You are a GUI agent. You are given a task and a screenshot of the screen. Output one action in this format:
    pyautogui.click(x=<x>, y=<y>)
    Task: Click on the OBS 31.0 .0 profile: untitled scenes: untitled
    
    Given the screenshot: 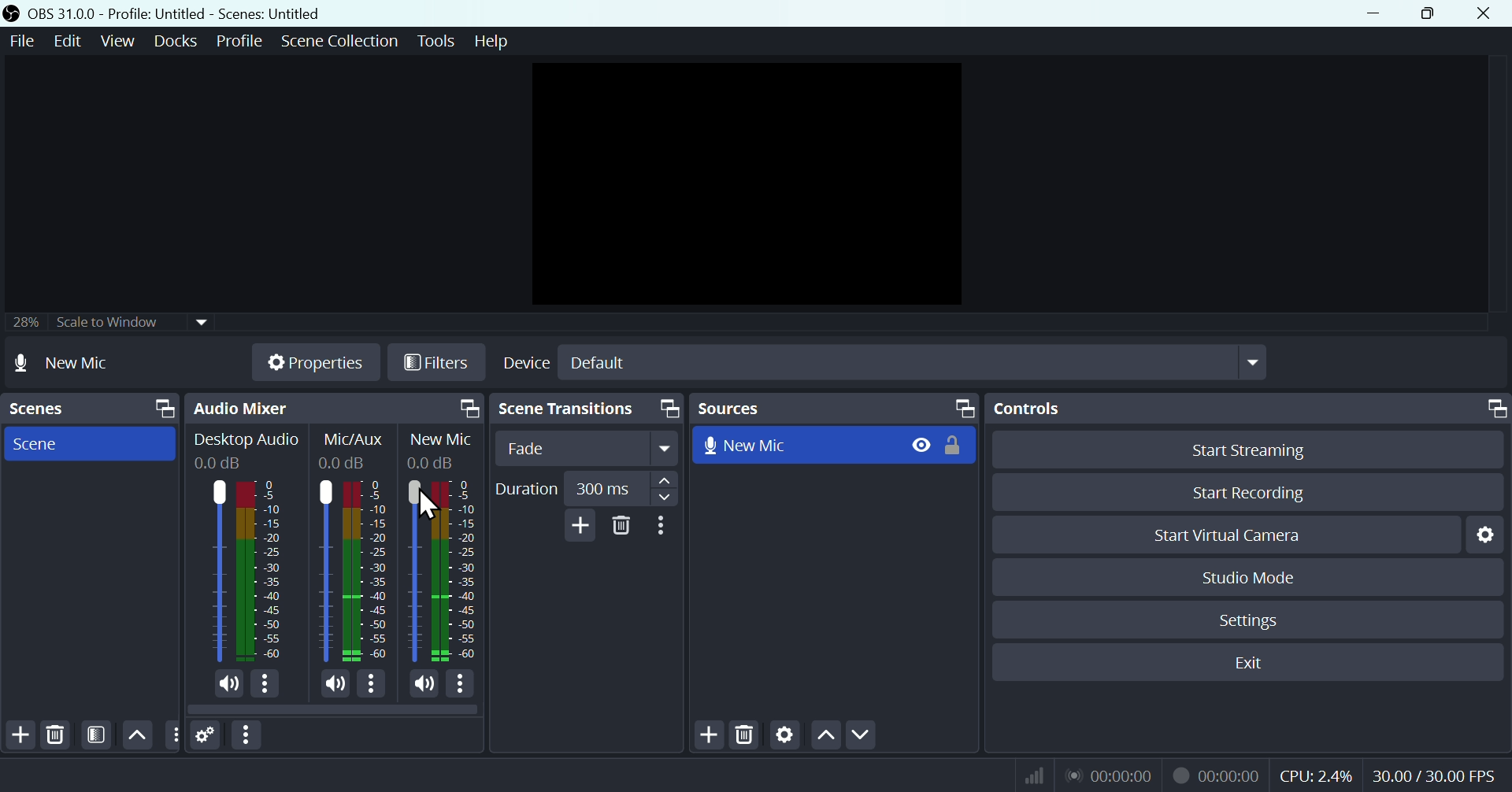 What is the action you would take?
    pyautogui.click(x=184, y=13)
    